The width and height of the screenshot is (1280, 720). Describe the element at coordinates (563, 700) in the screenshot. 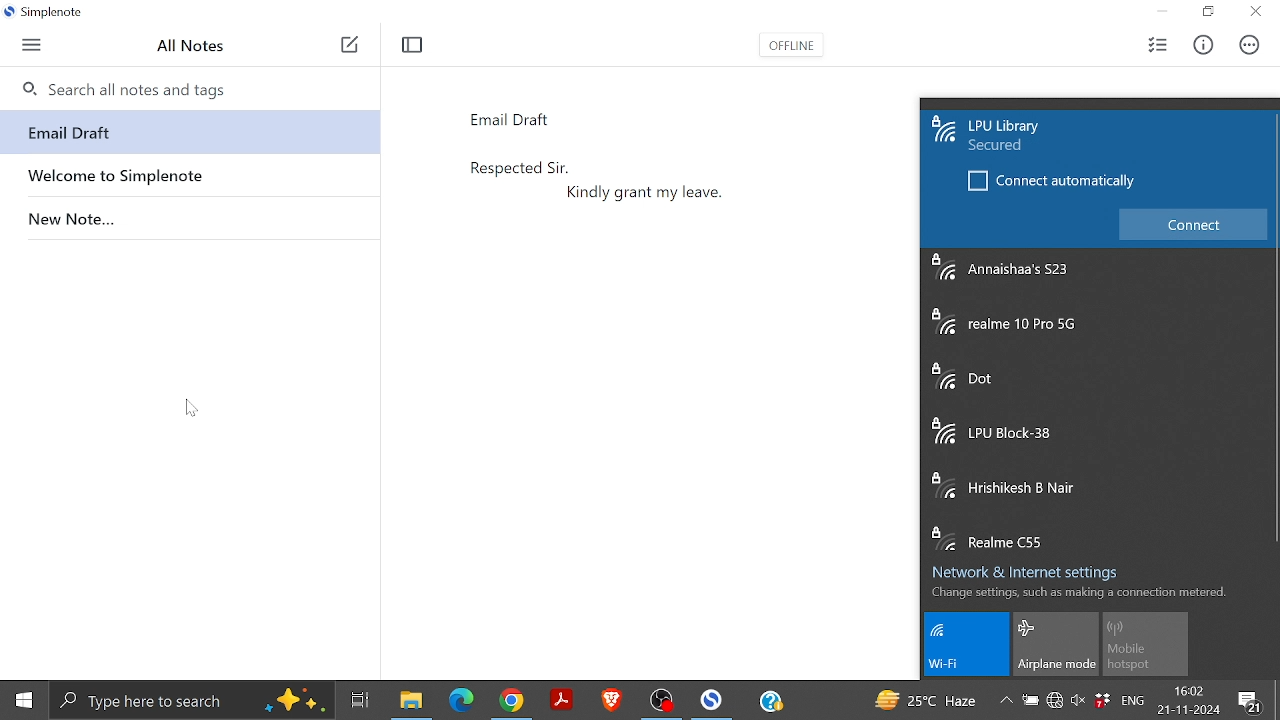

I see `Adobe reader` at that location.